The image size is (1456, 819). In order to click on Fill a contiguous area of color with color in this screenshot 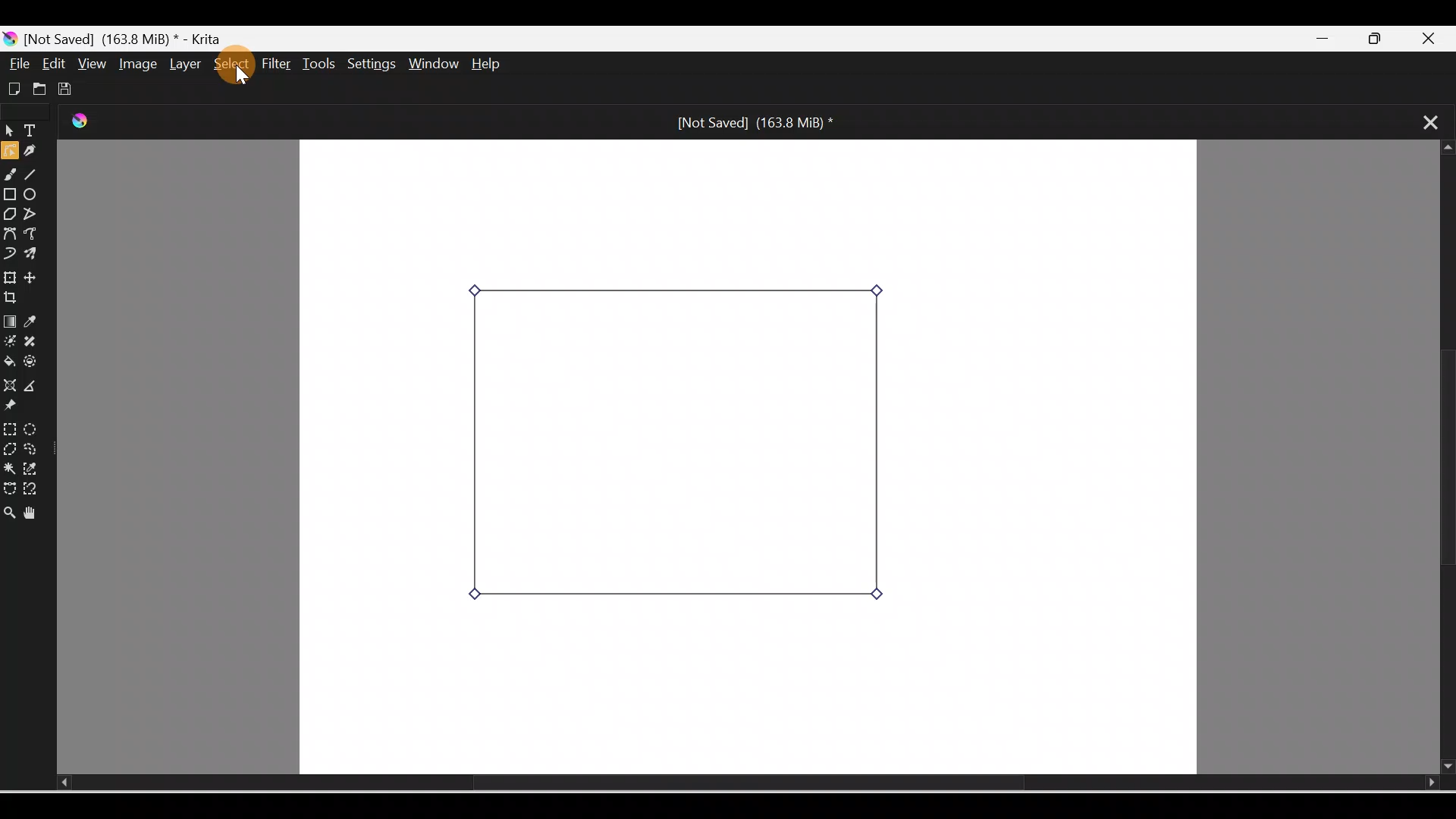, I will do `click(10, 362)`.